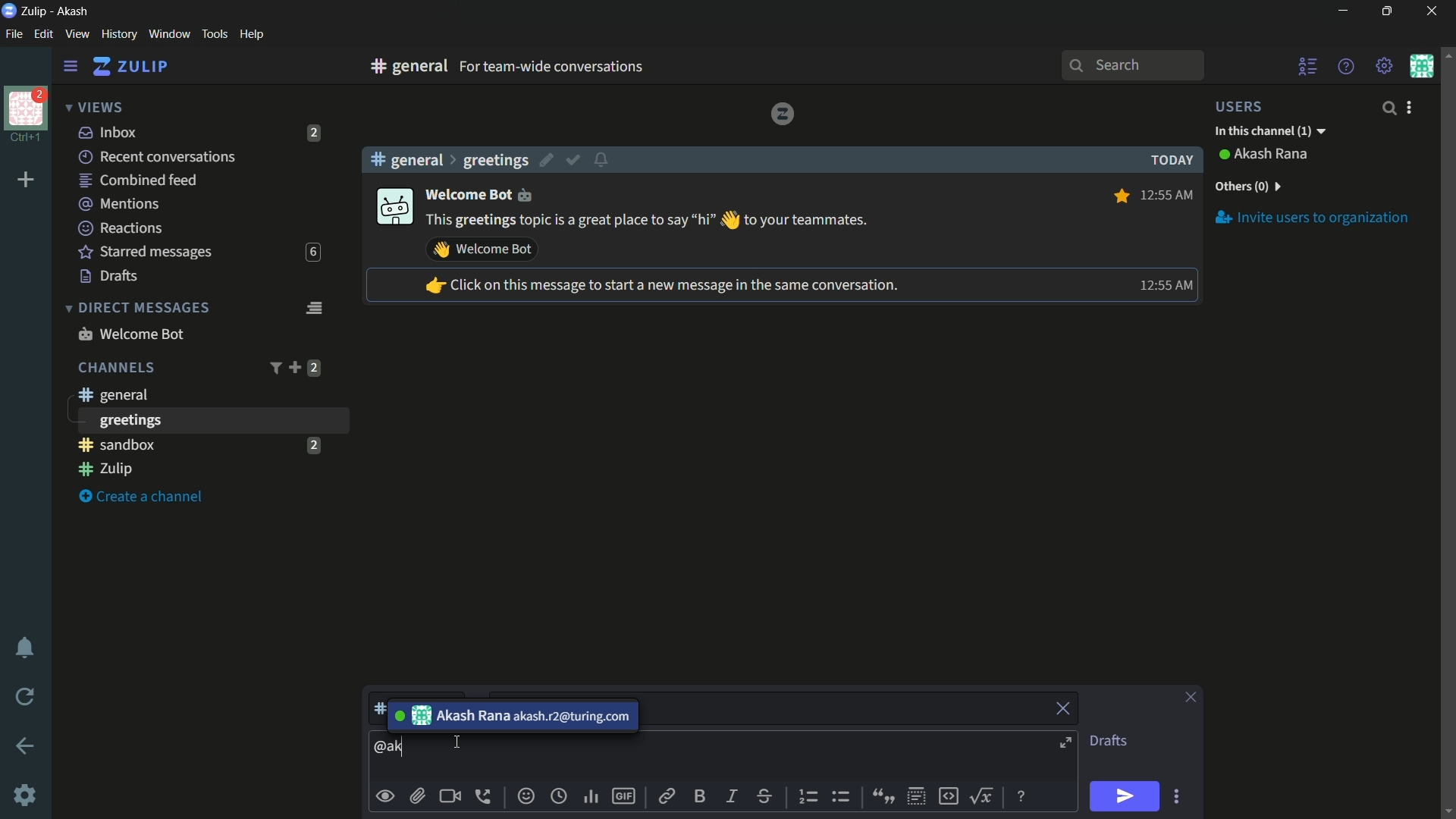  What do you see at coordinates (274, 368) in the screenshot?
I see `filter channels` at bounding box center [274, 368].